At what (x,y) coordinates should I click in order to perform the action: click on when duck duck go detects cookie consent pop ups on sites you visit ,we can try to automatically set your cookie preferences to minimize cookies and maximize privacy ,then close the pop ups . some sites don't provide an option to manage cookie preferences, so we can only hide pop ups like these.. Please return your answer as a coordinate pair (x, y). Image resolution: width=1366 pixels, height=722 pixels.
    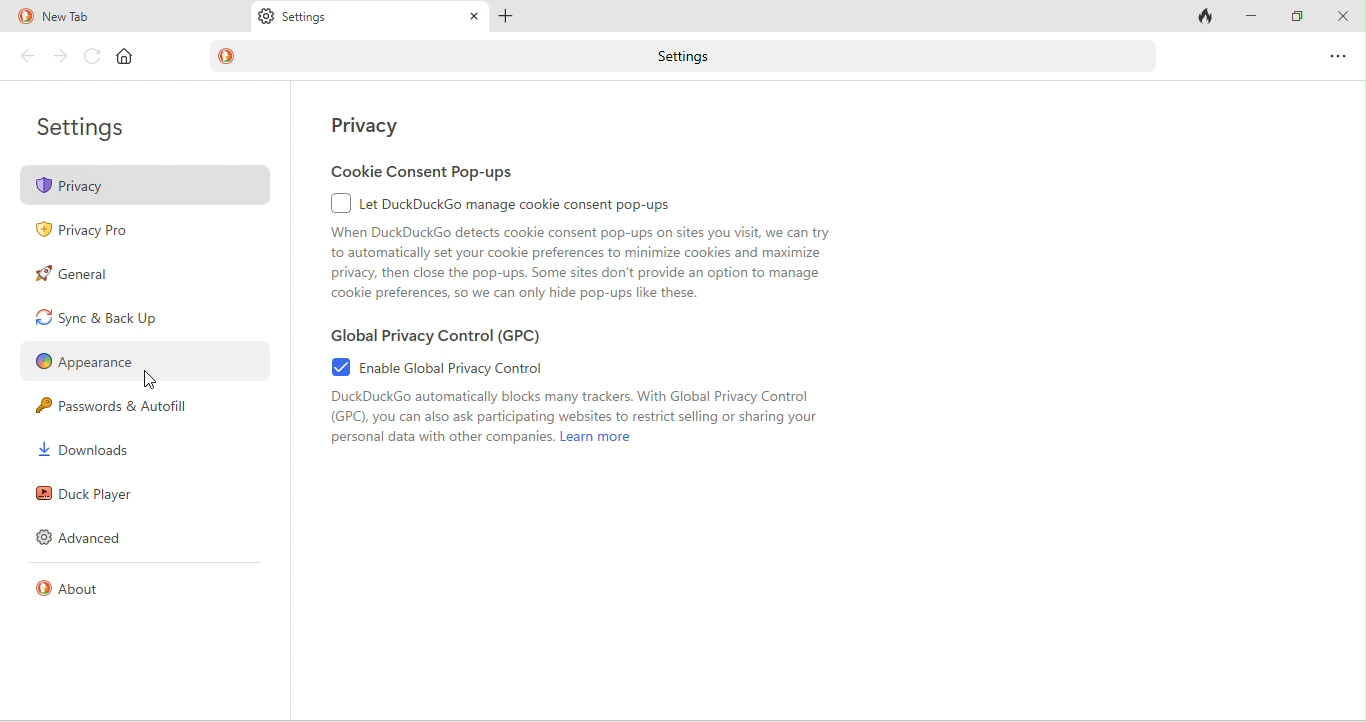
    Looking at the image, I should click on (598, 261).